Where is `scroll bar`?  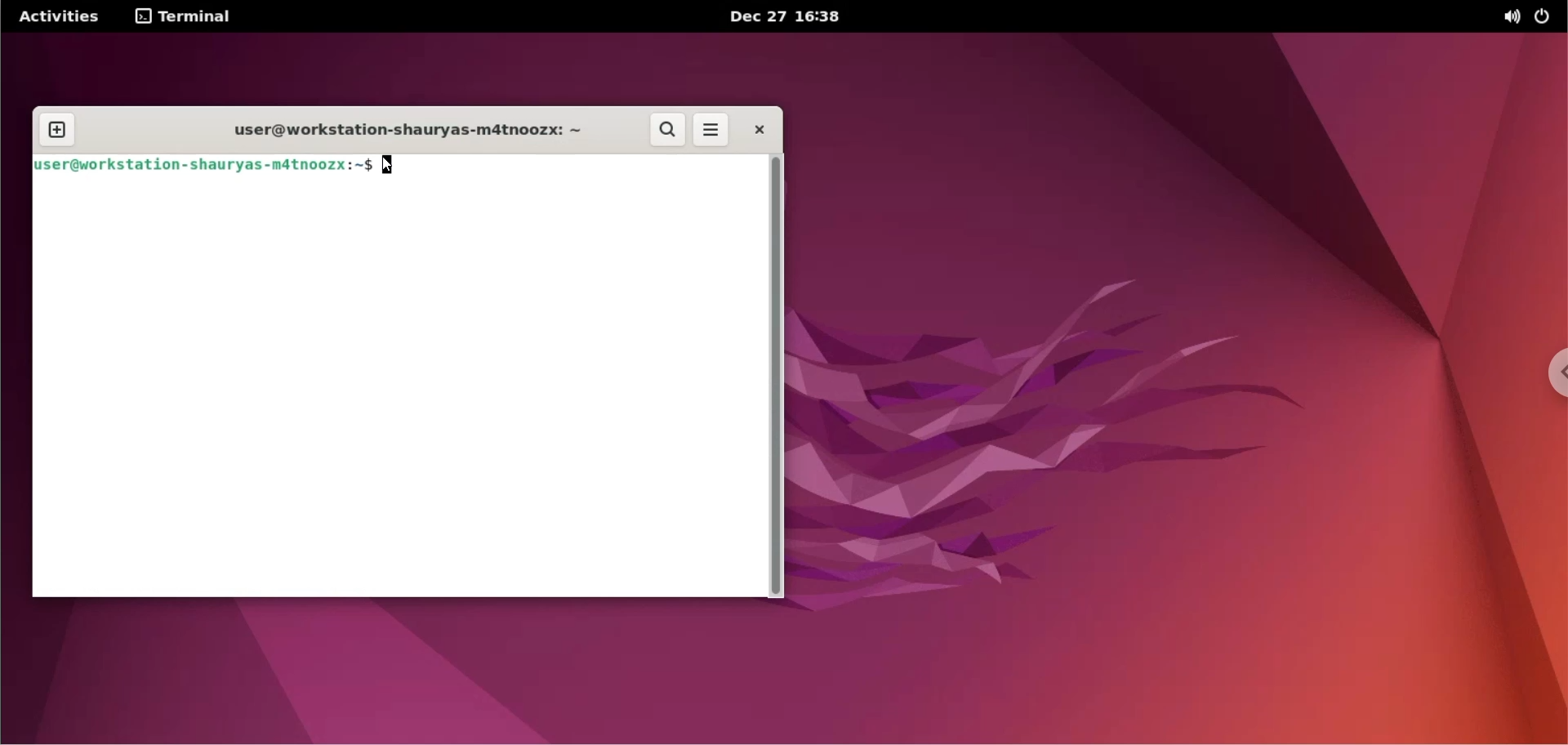 scroll bar is located at coordinates (778, 381).